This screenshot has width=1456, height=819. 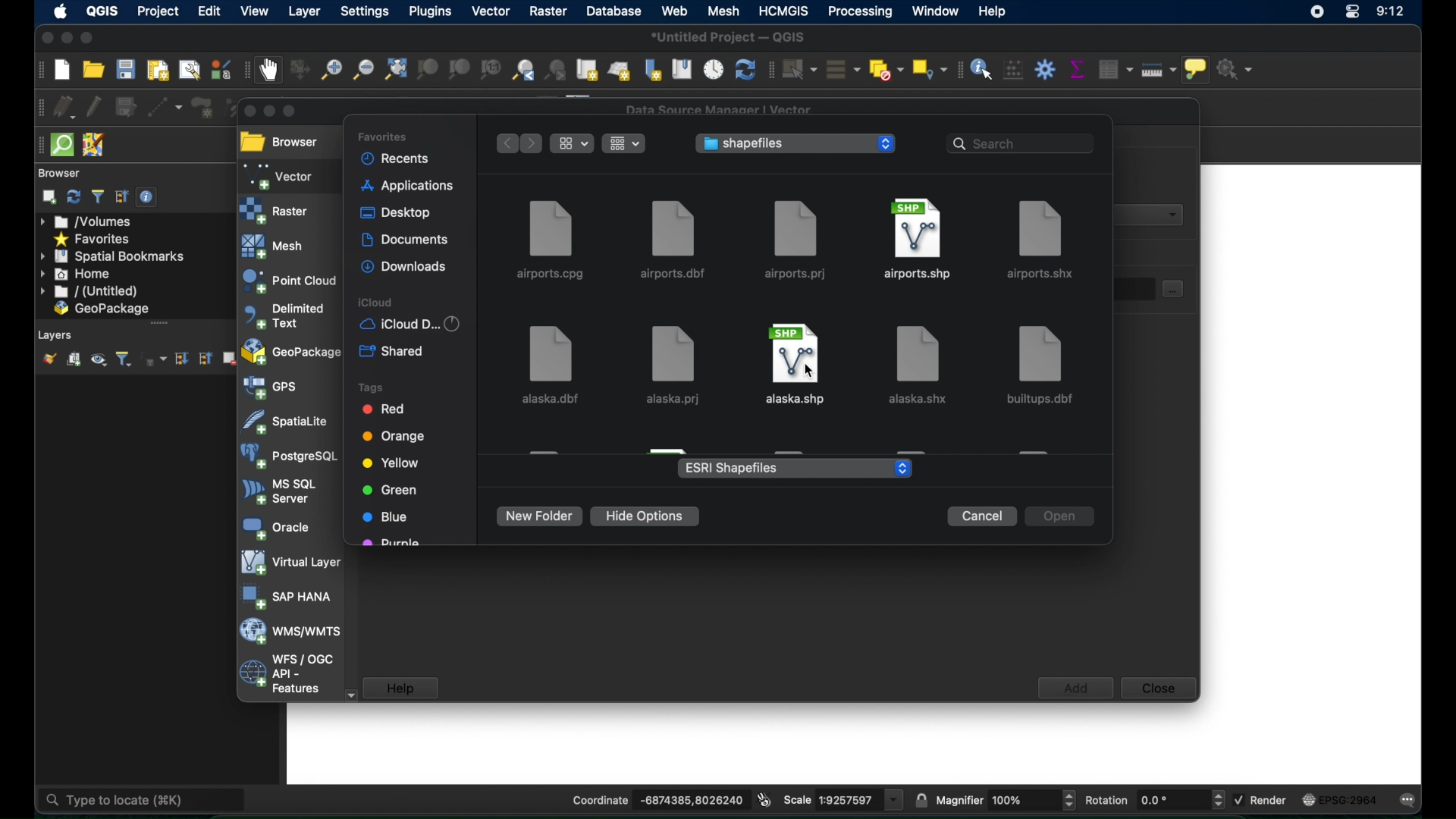 What do you see at coordinates (158, 11) in the screenshot?
I see `project` at bounding box center [158, 11].